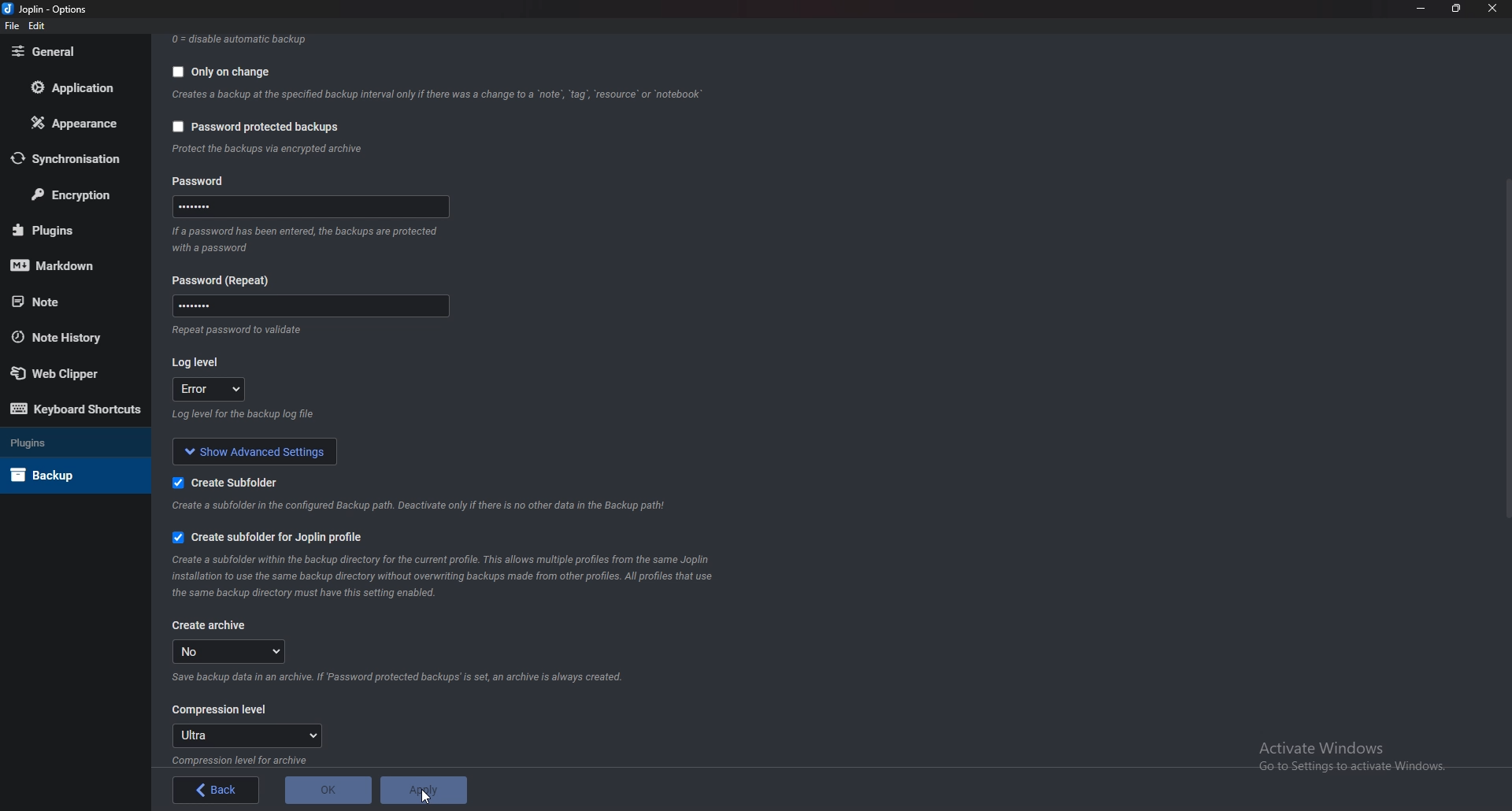 This screenshot has width=1512, height=811. I want to click on Keyboard shortcuts, so click(76, 411).